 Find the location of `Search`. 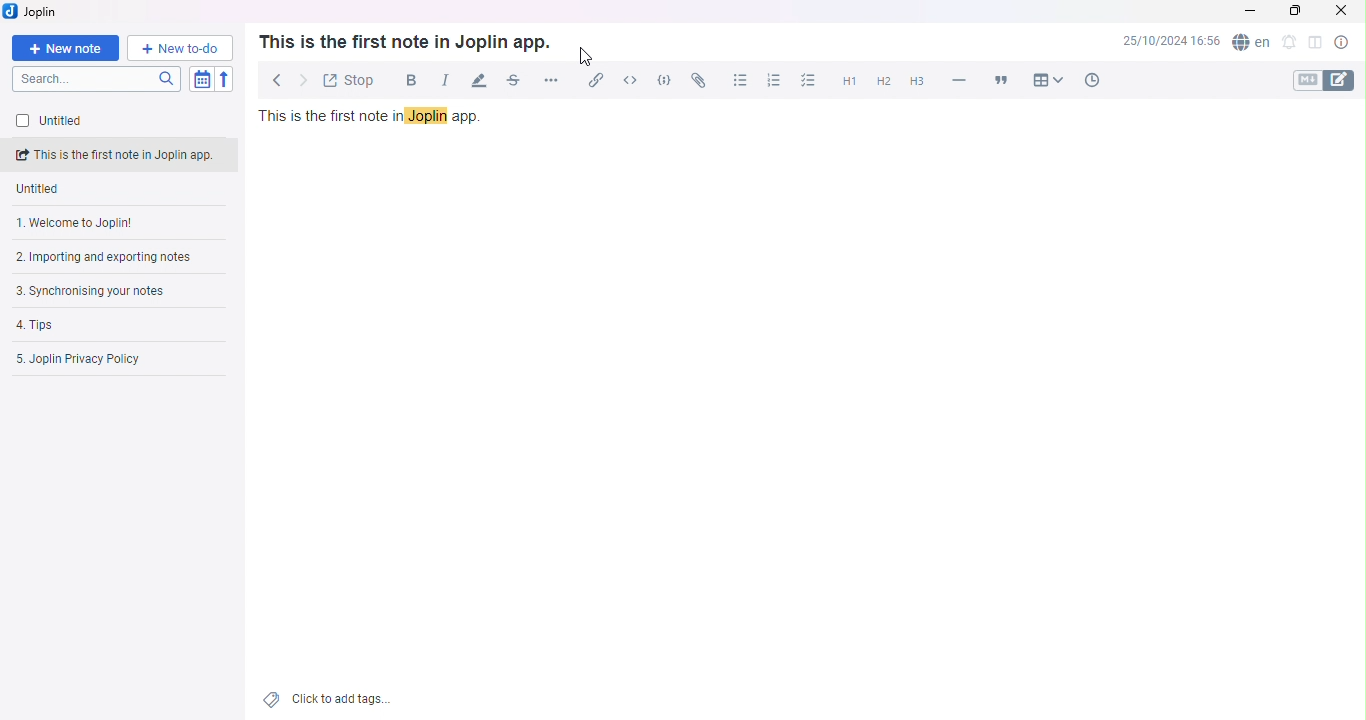

Search is located at coordinates (100, 79).